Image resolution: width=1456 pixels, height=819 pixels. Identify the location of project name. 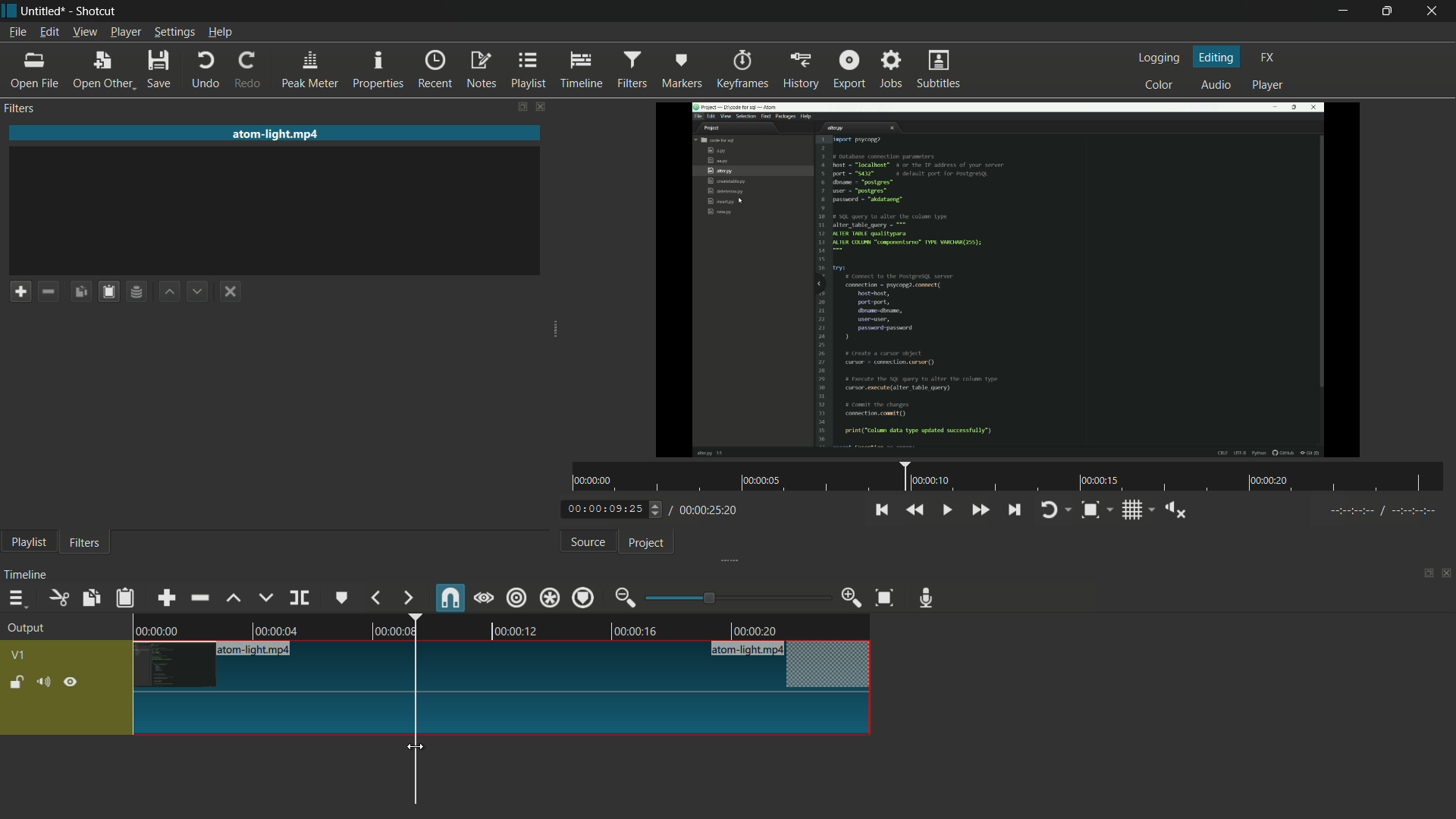
(46, 11).